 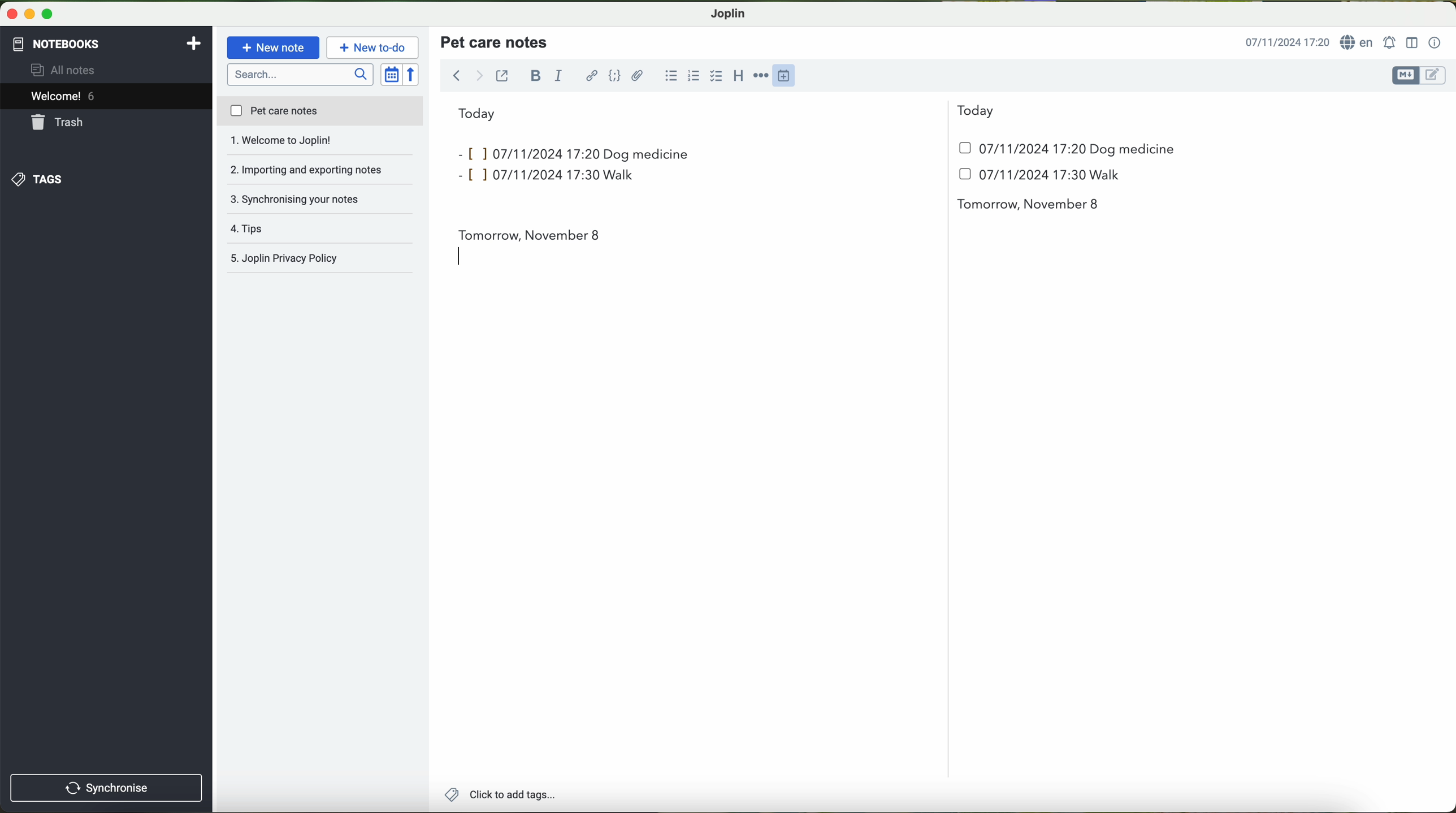 I want to click on today, so click(x=726, y=112).